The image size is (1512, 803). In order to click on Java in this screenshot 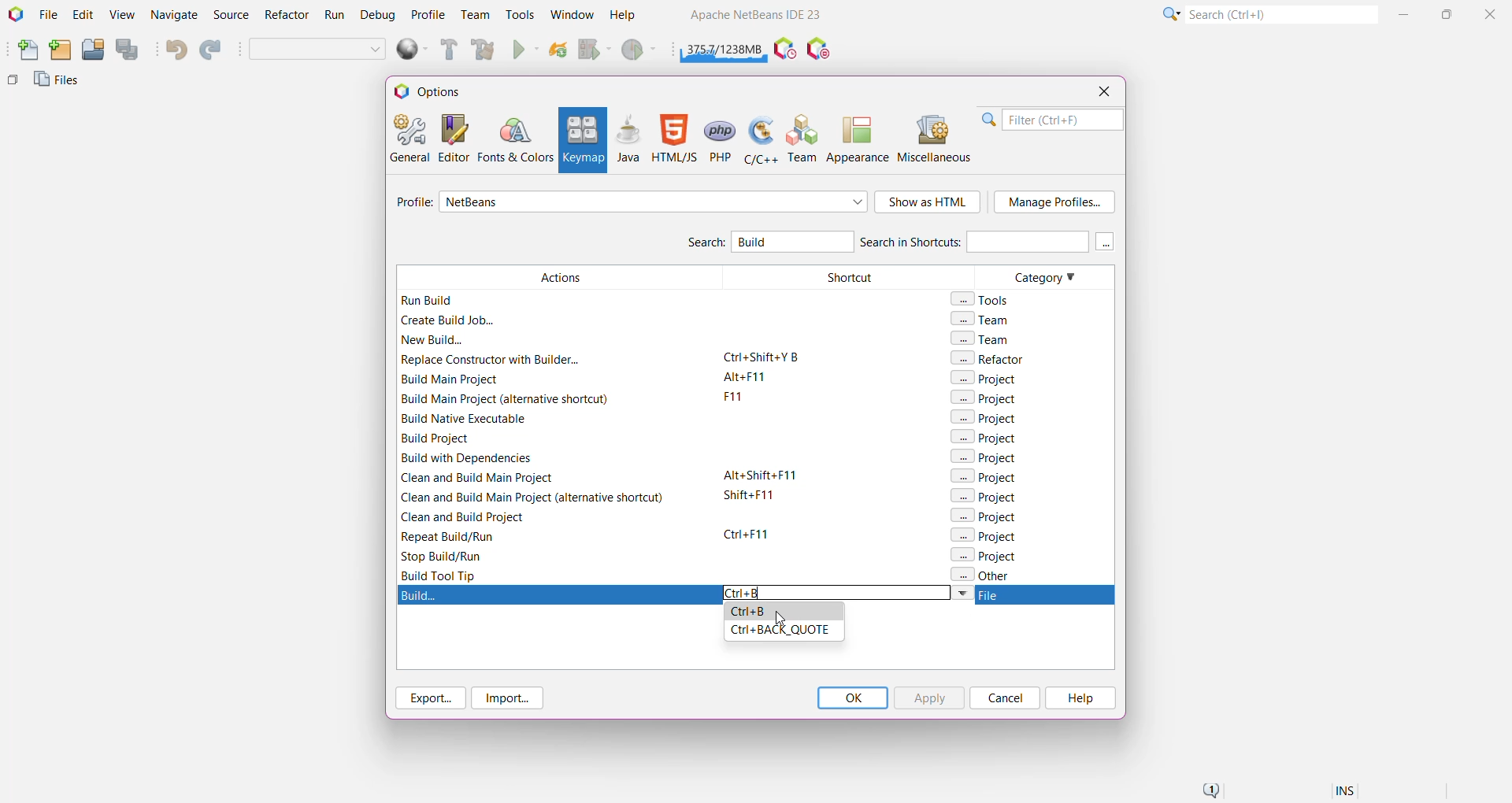, I will do `click(628, 139)`.